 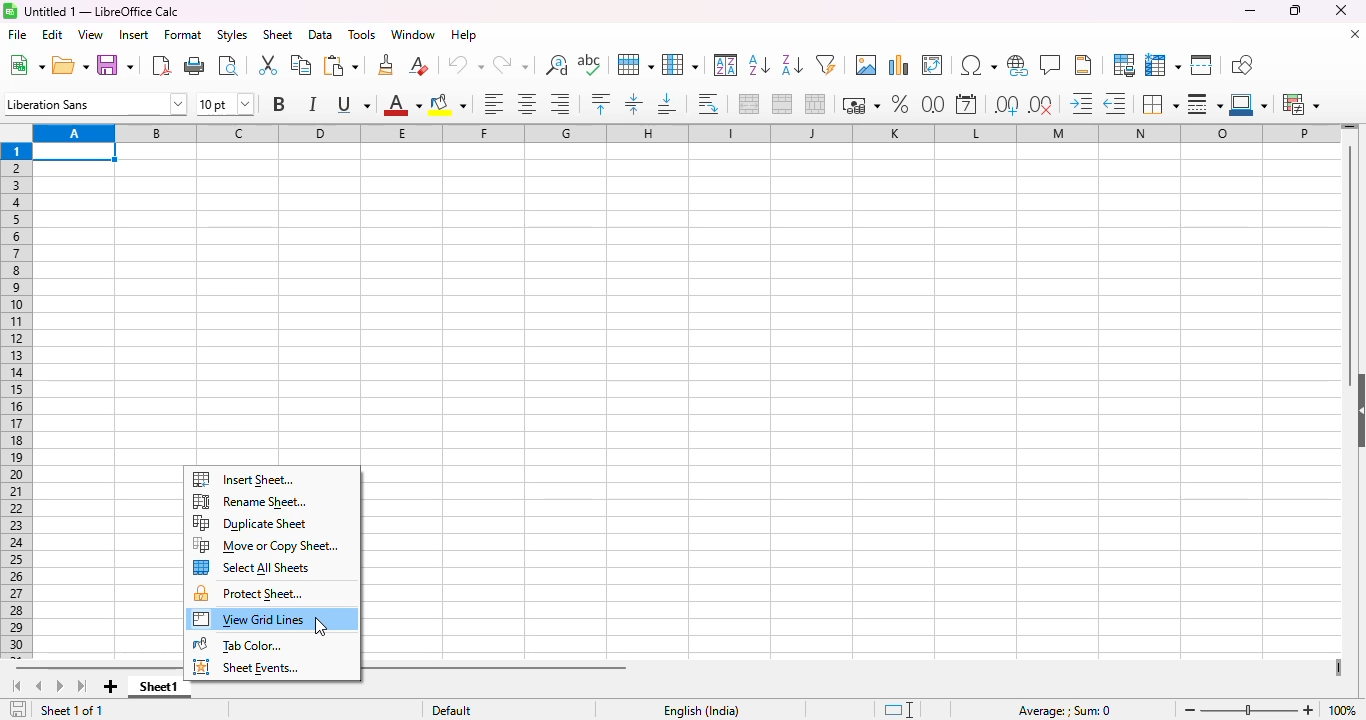 I want to click on autoFilter, so click(x=826, y=65).